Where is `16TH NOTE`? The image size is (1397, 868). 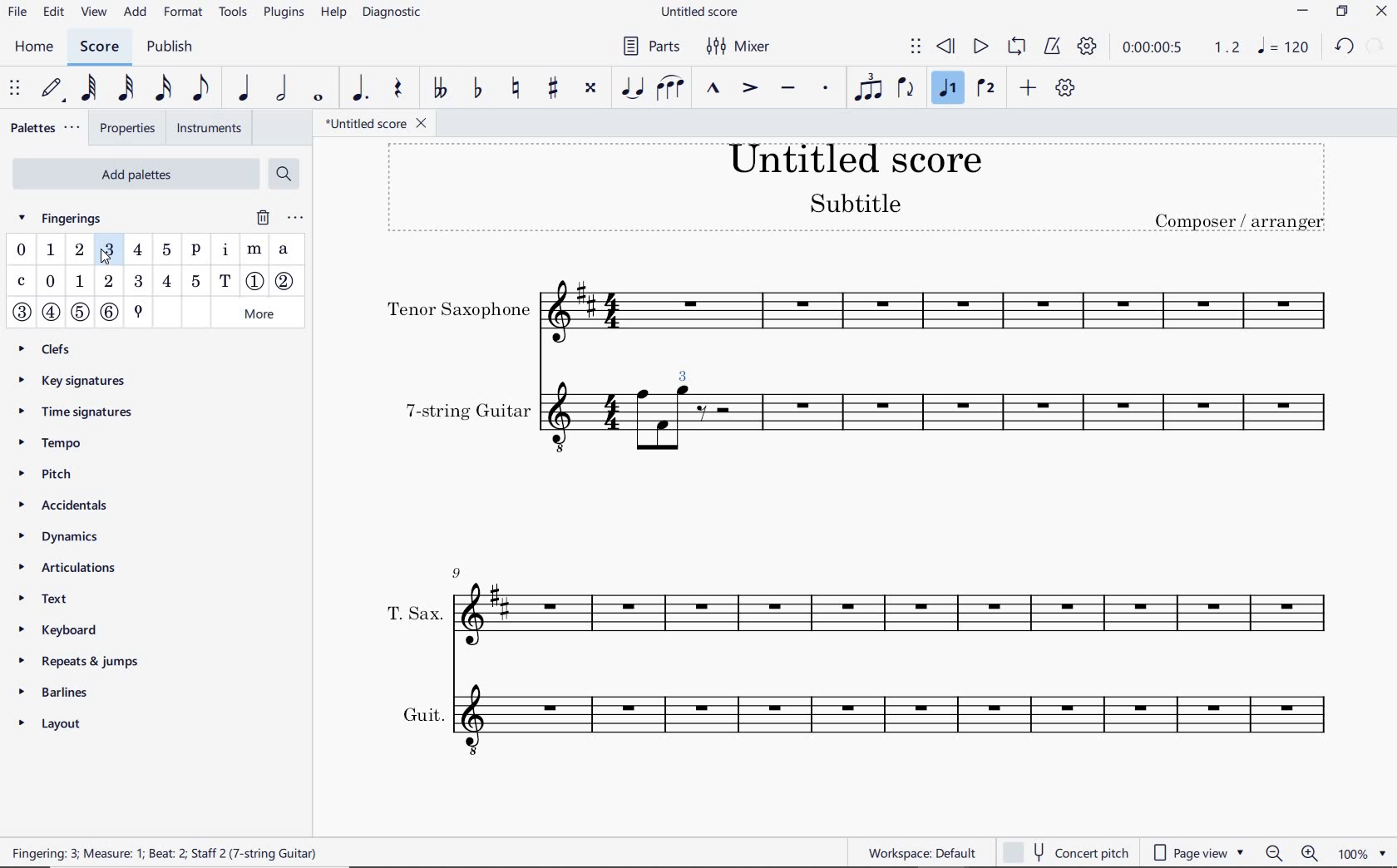
16TH NOTE is located at coordinates (163, 88).